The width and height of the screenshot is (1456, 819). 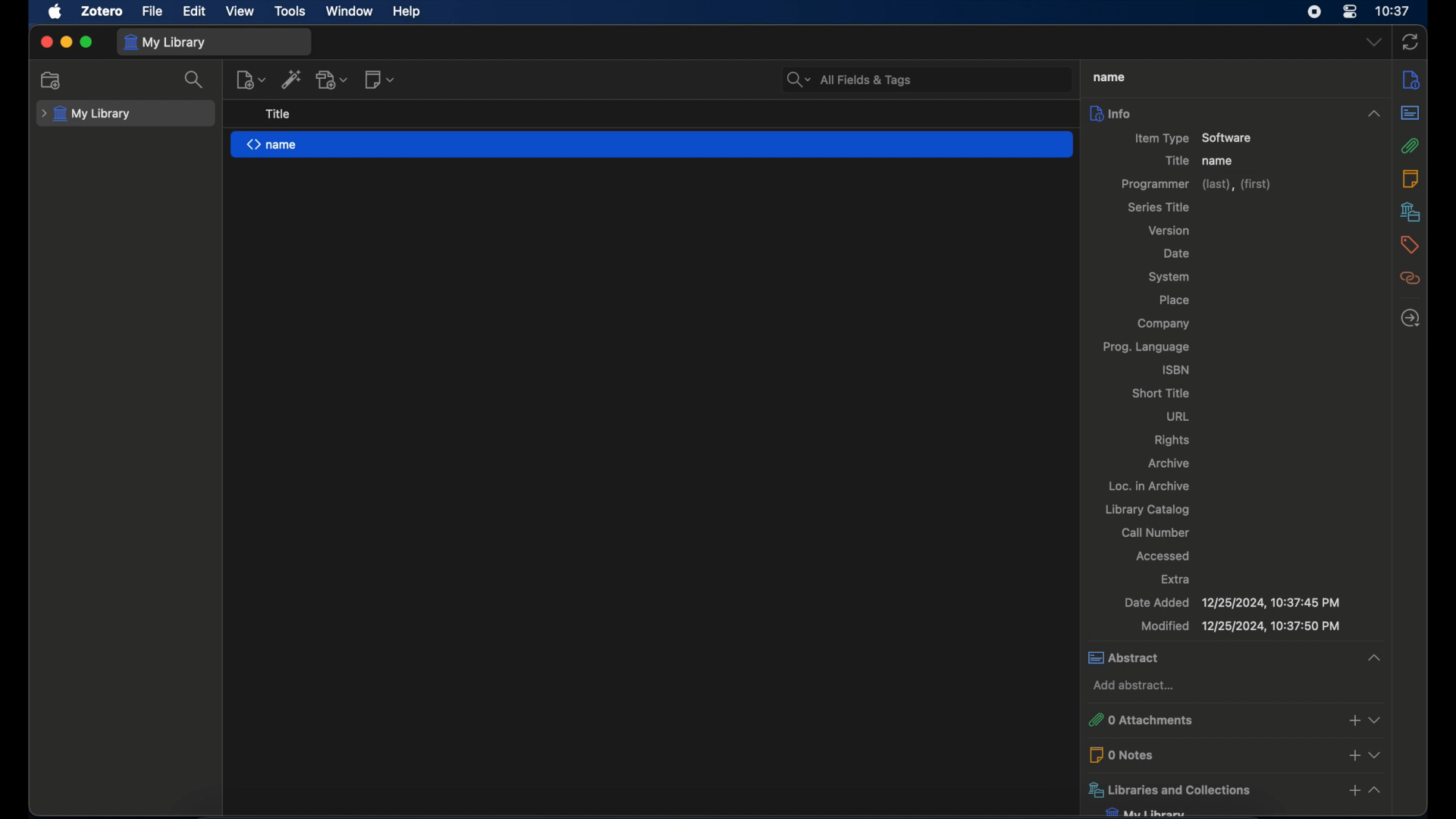 I want to click on add abstract, so click(x=1134, y=686).